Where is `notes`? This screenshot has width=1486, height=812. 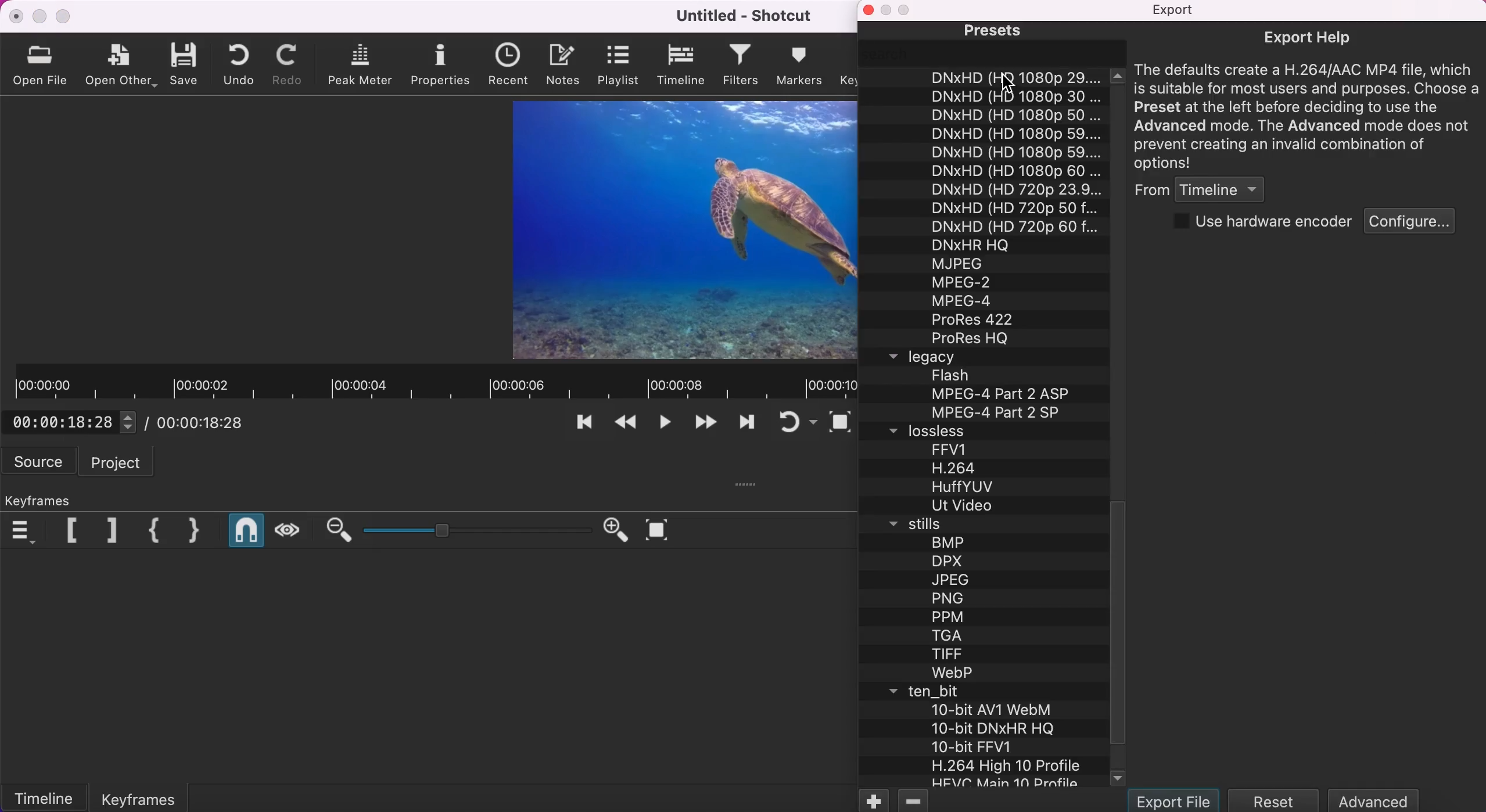
notes is located at coordinates (563, 64).